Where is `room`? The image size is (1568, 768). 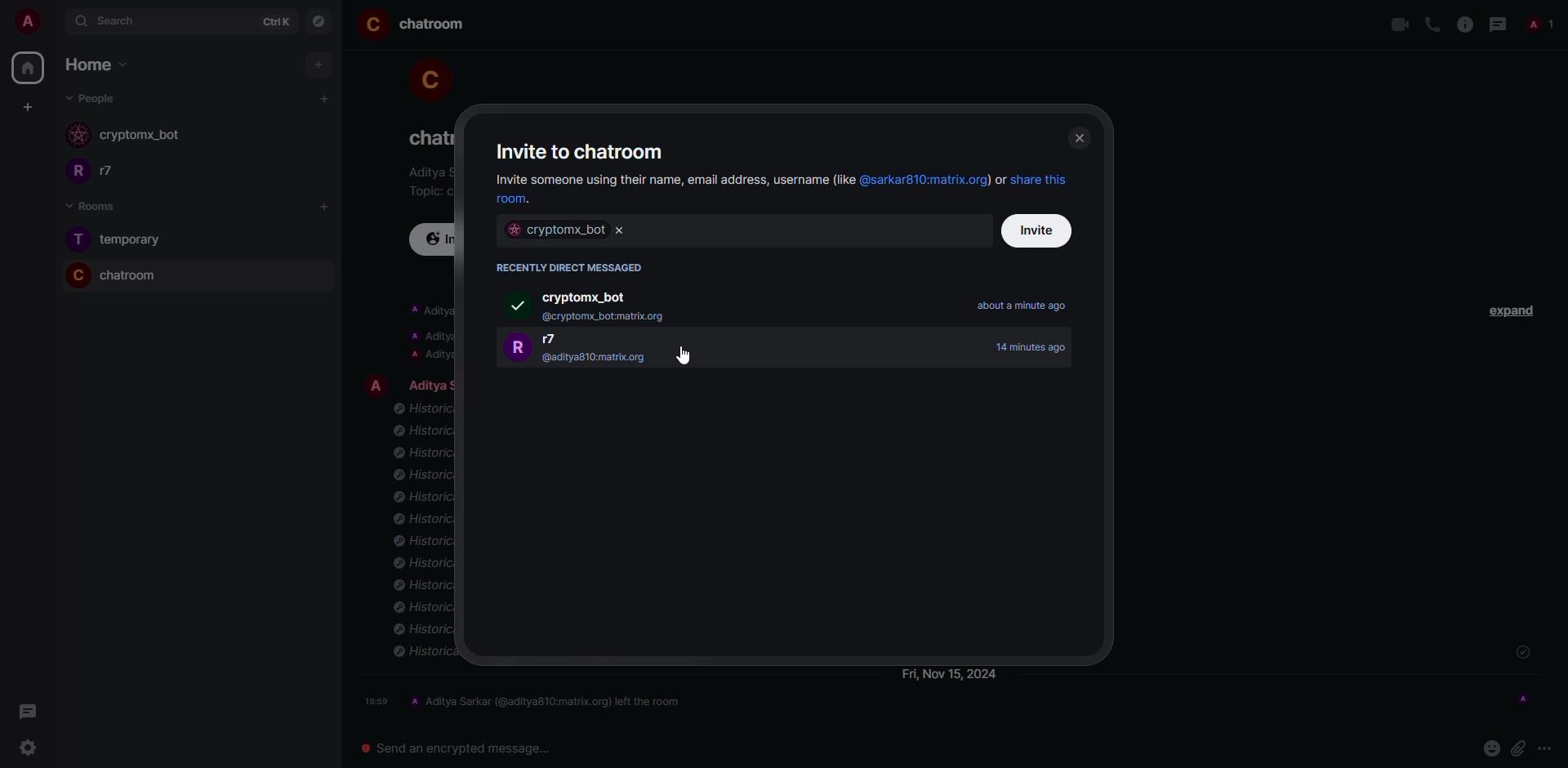 room is located at coordinates (131, 275).